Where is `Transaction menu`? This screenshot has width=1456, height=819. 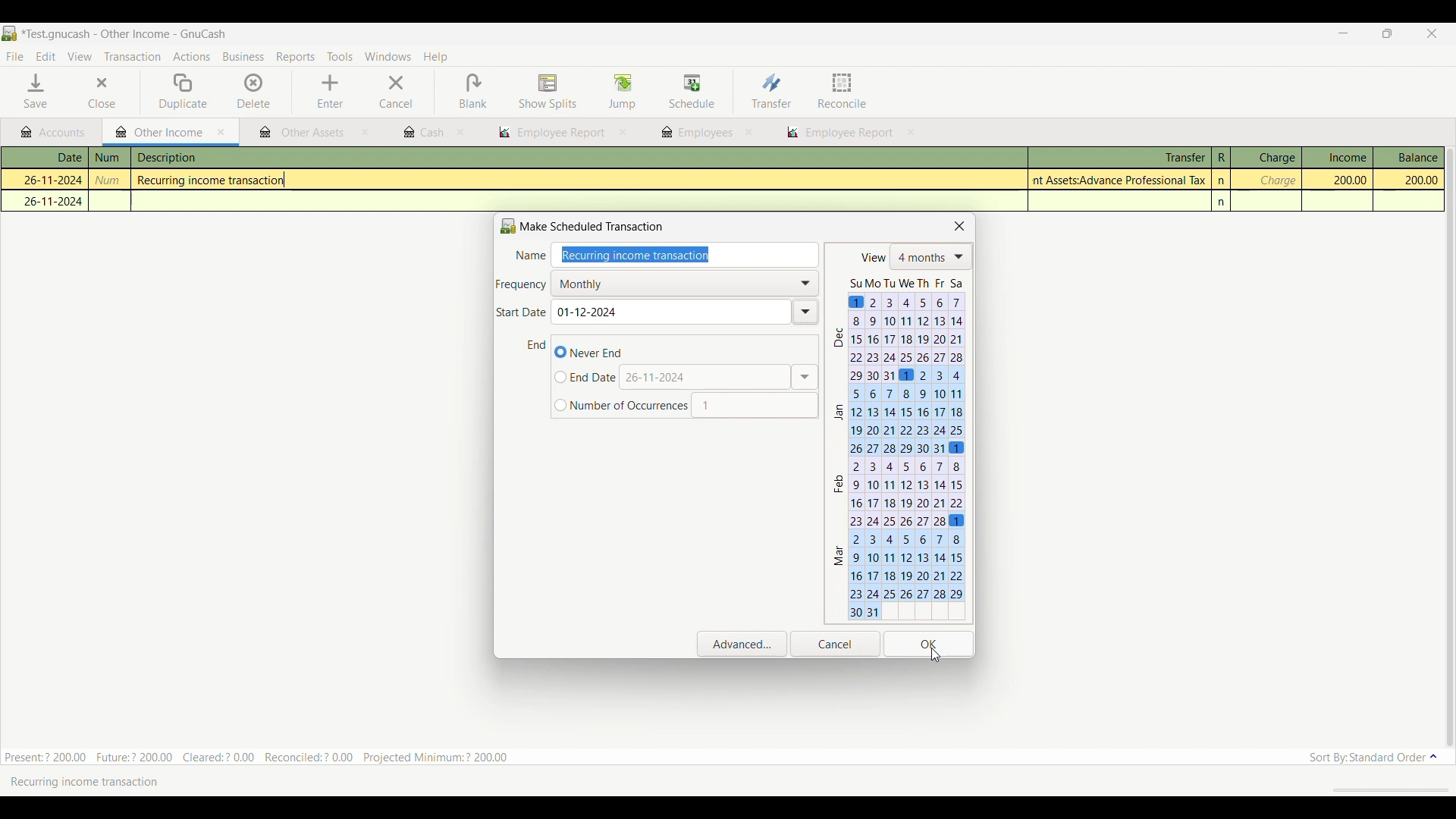
Transaction menu is located at coordinates (132, 57).